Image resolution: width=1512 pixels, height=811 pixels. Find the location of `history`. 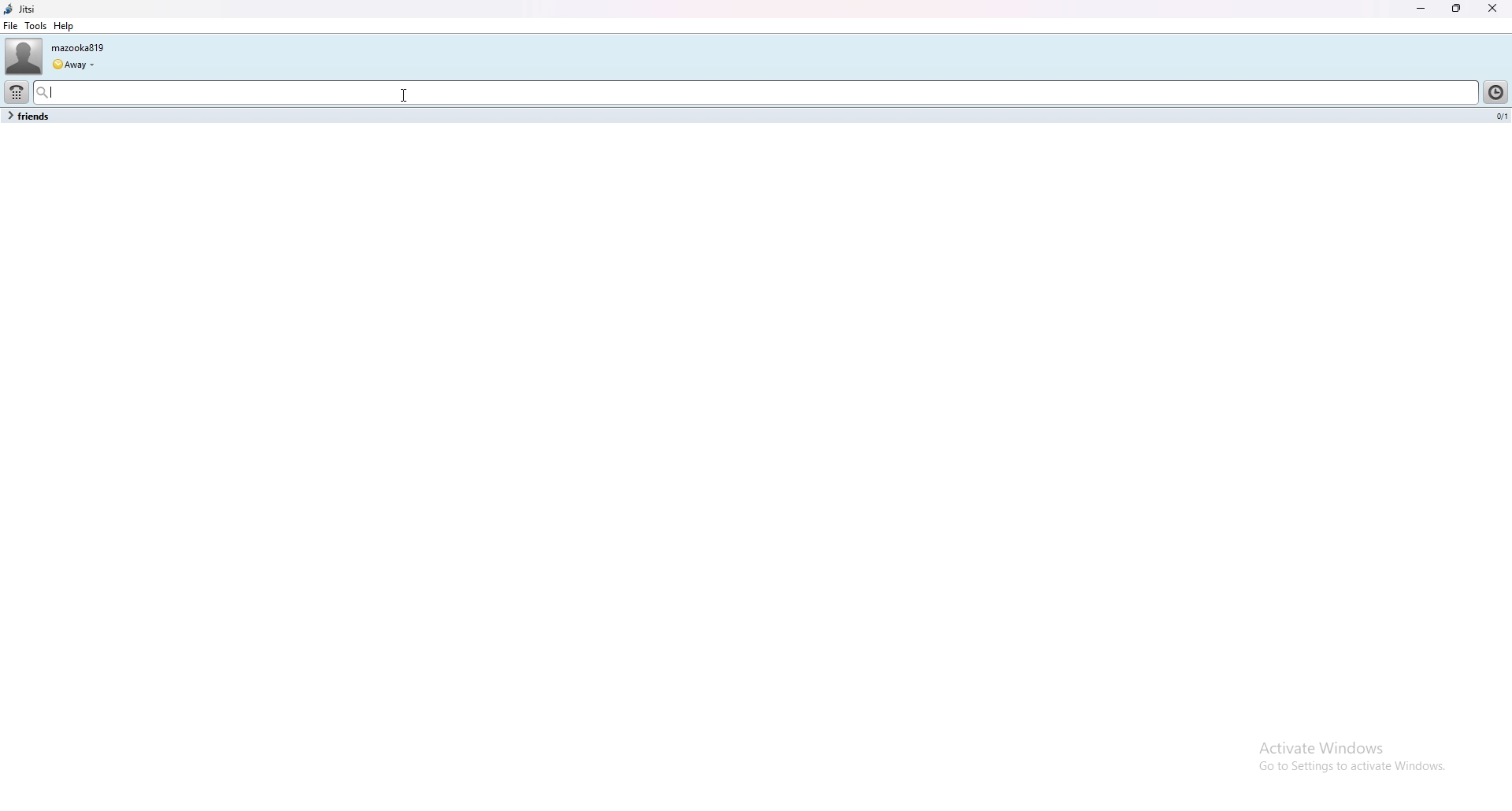

history is located at coordinates (1497, 92).